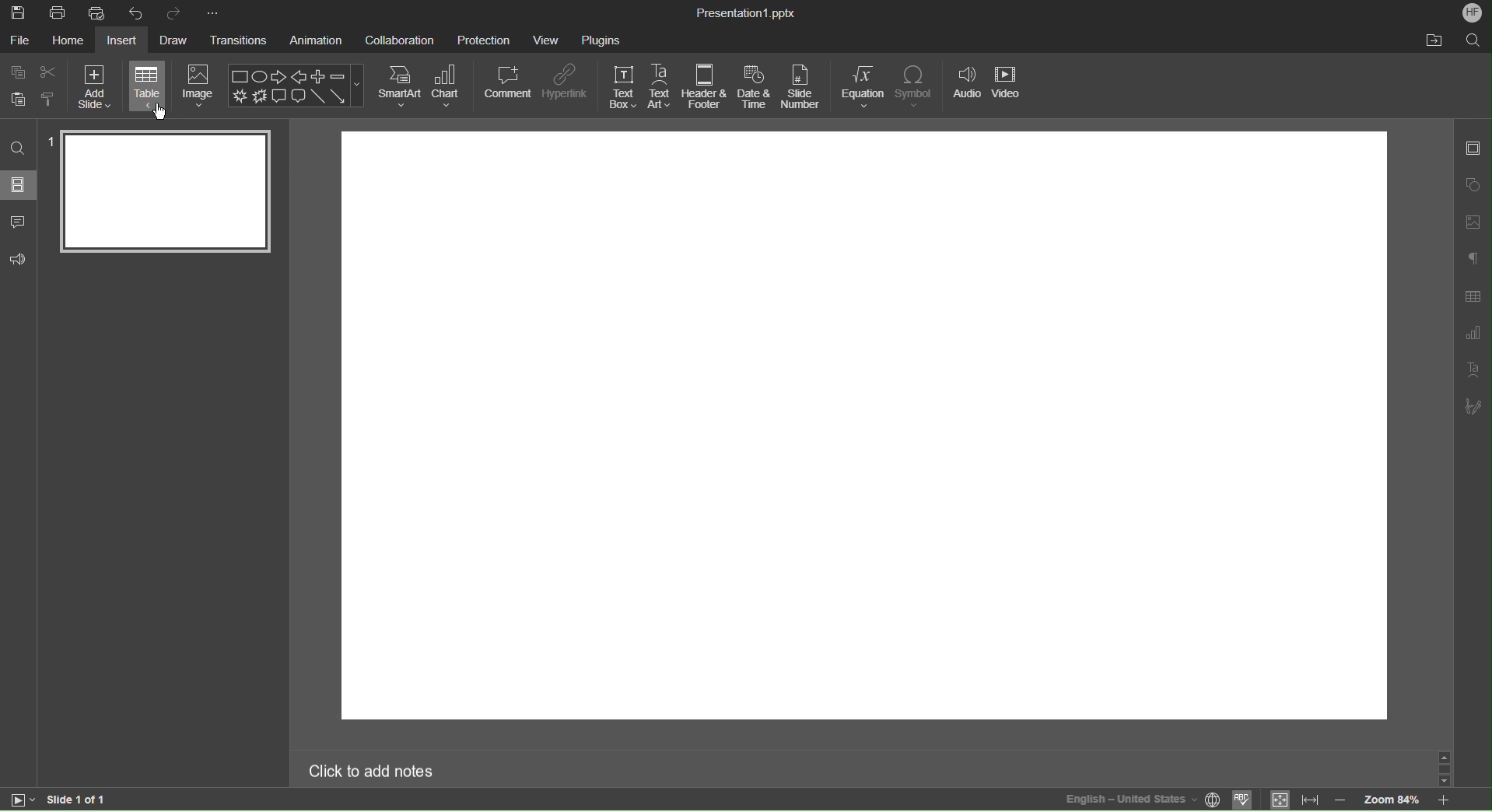 The image size is (1492, 812). I want to click on Slide Settings, so click(1473, 149).